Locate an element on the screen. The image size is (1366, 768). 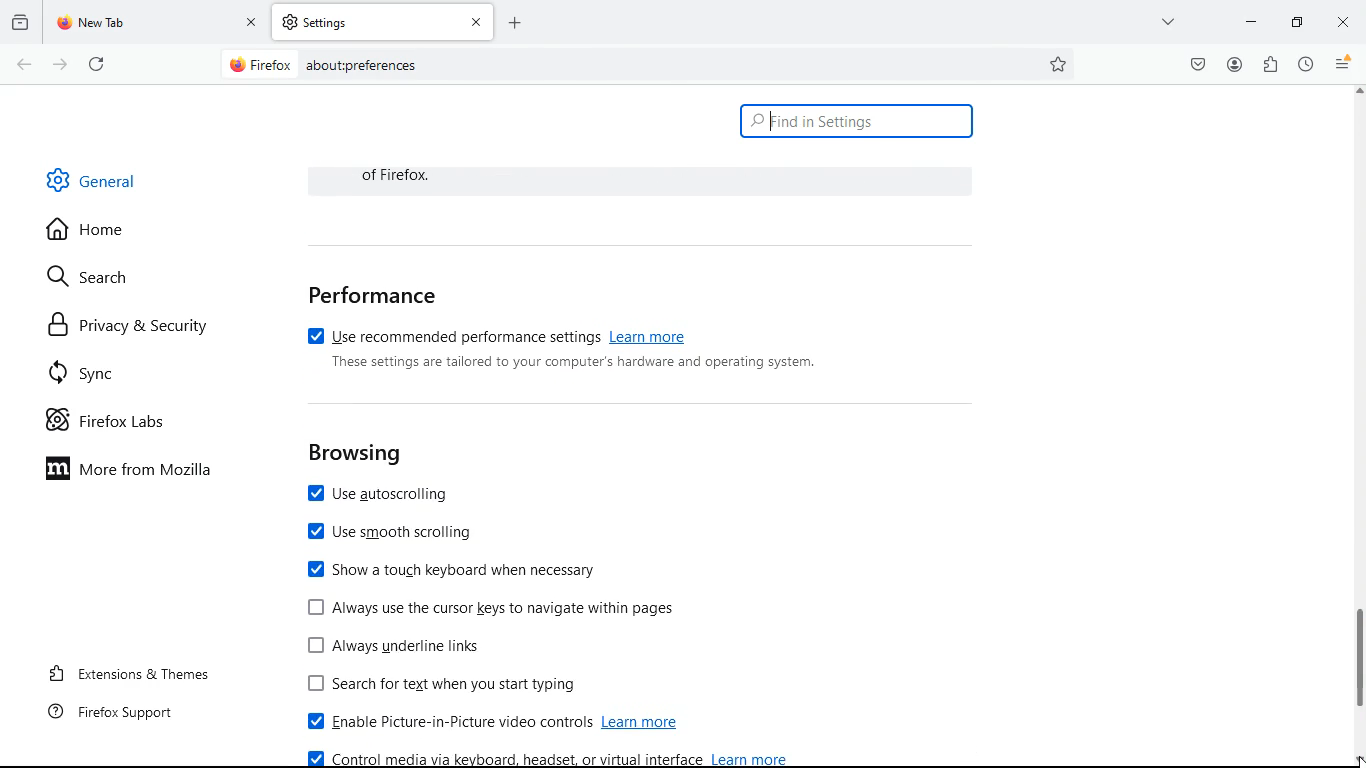
enable picture-in-picture video control learn more is located at coordinates (500, 723).